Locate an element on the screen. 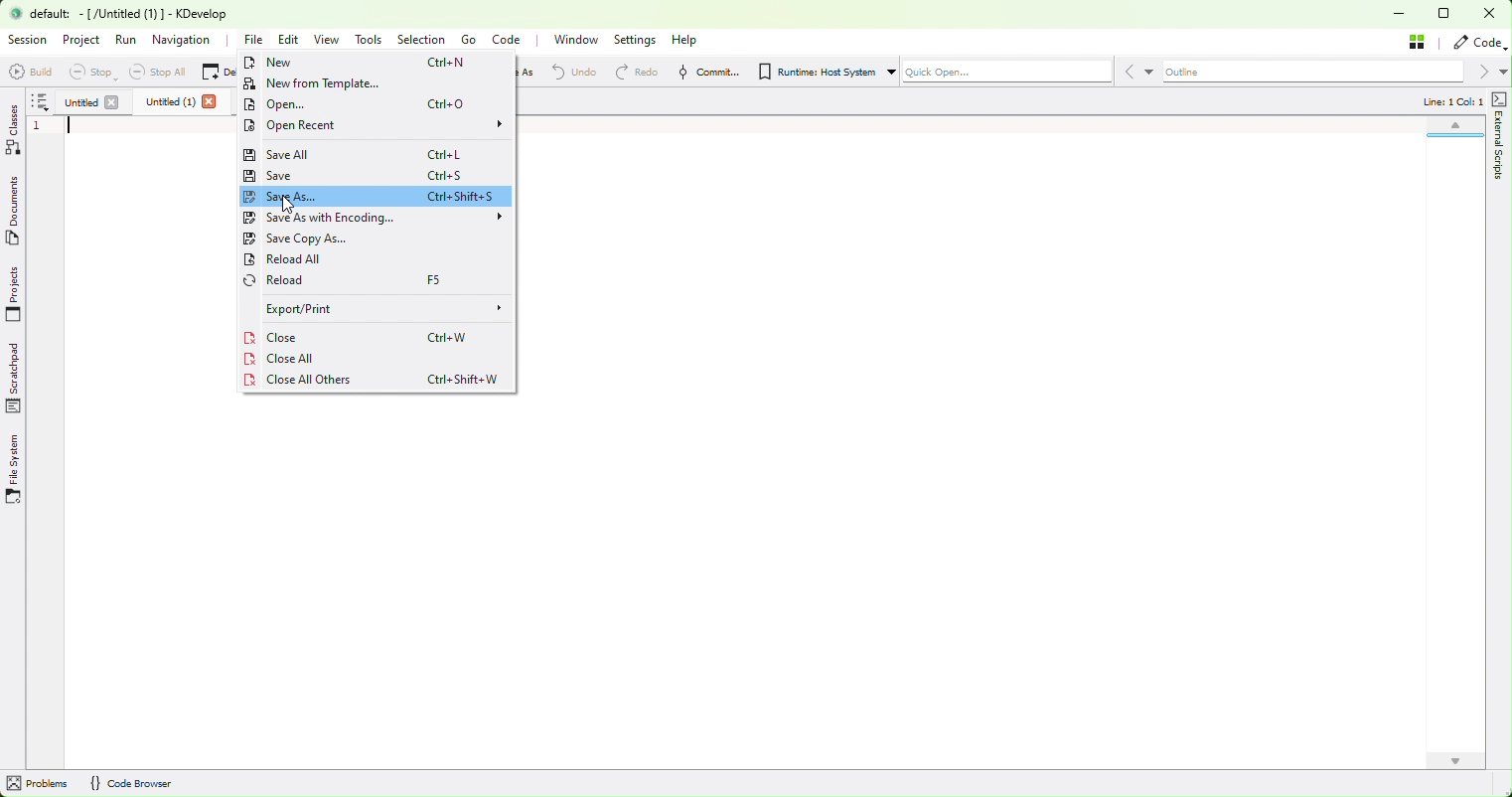 Image resolution: width=1512 pixels, height=797 pixels. more options is located at coordinates (41, 103).